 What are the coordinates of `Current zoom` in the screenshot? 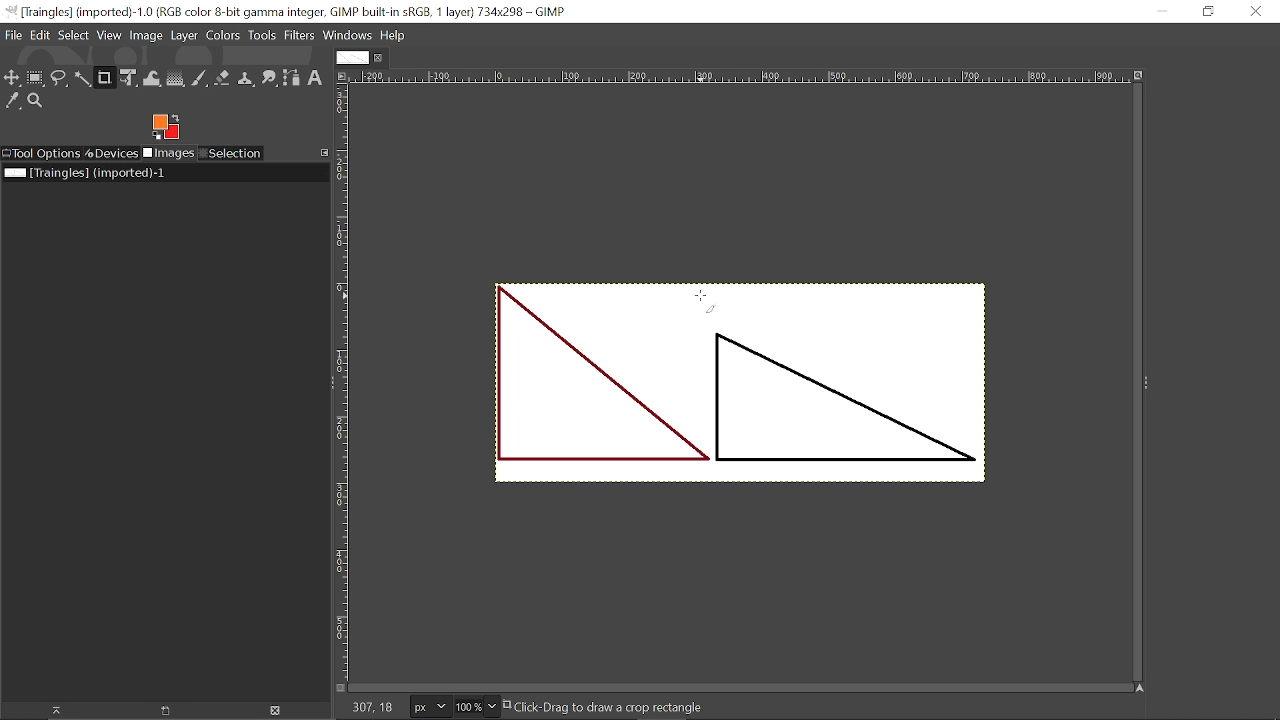 It's located at (467, 706).